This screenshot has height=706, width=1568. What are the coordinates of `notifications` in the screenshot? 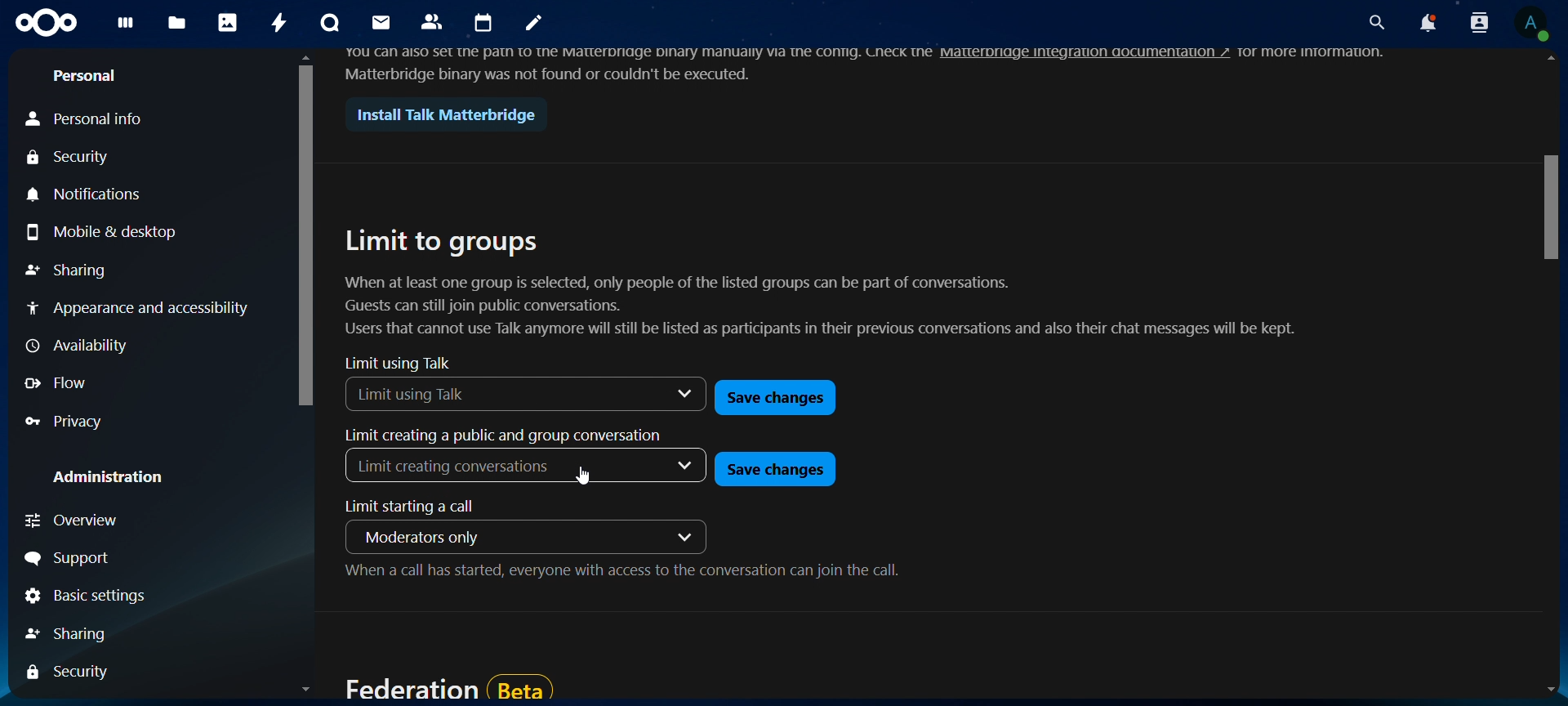 It's located at (1428, 23).